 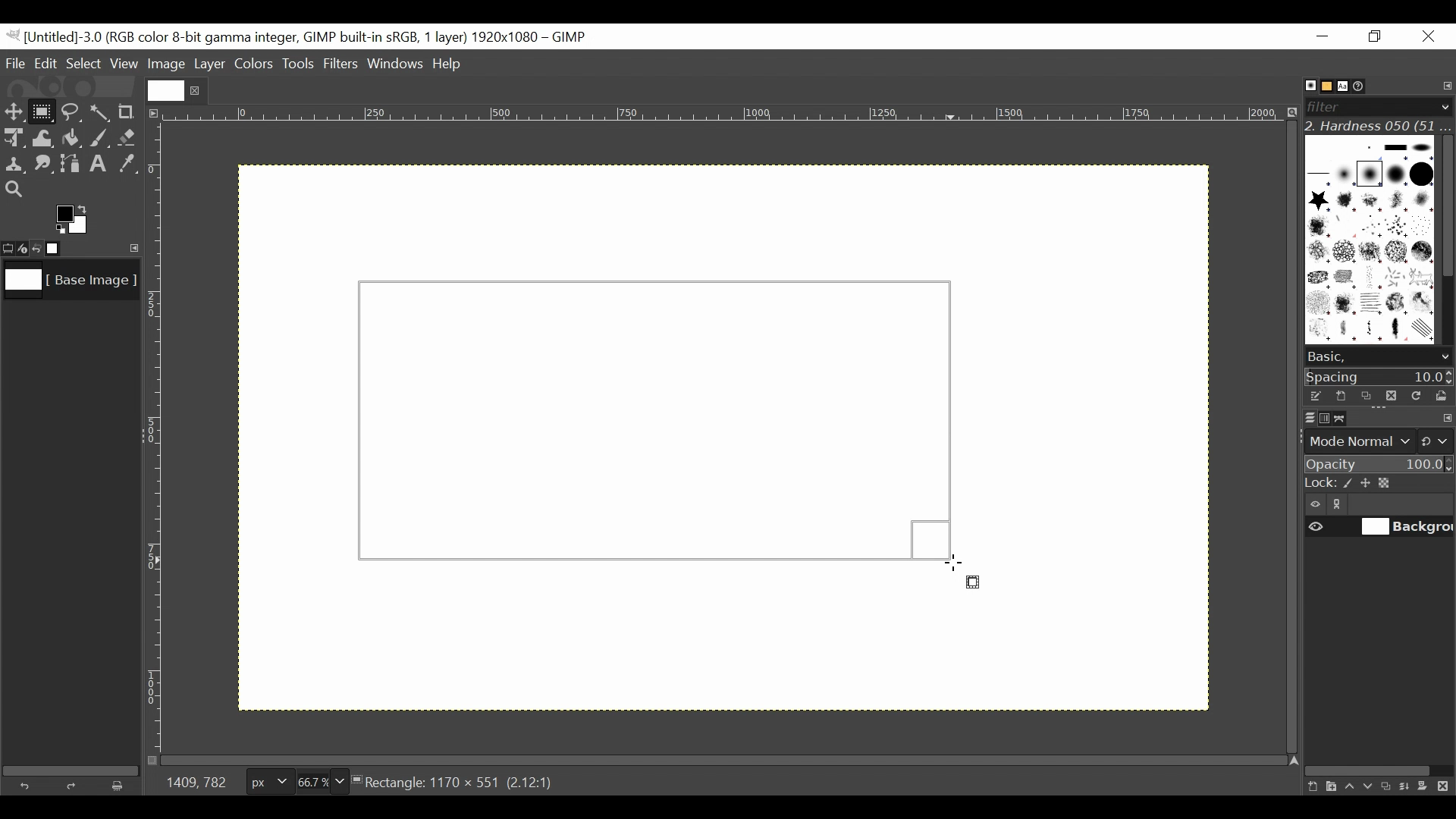 What do you see at coordinates (1321, 417) in the screenshot?
I see `Channels` at bounding box center [1321, 417].